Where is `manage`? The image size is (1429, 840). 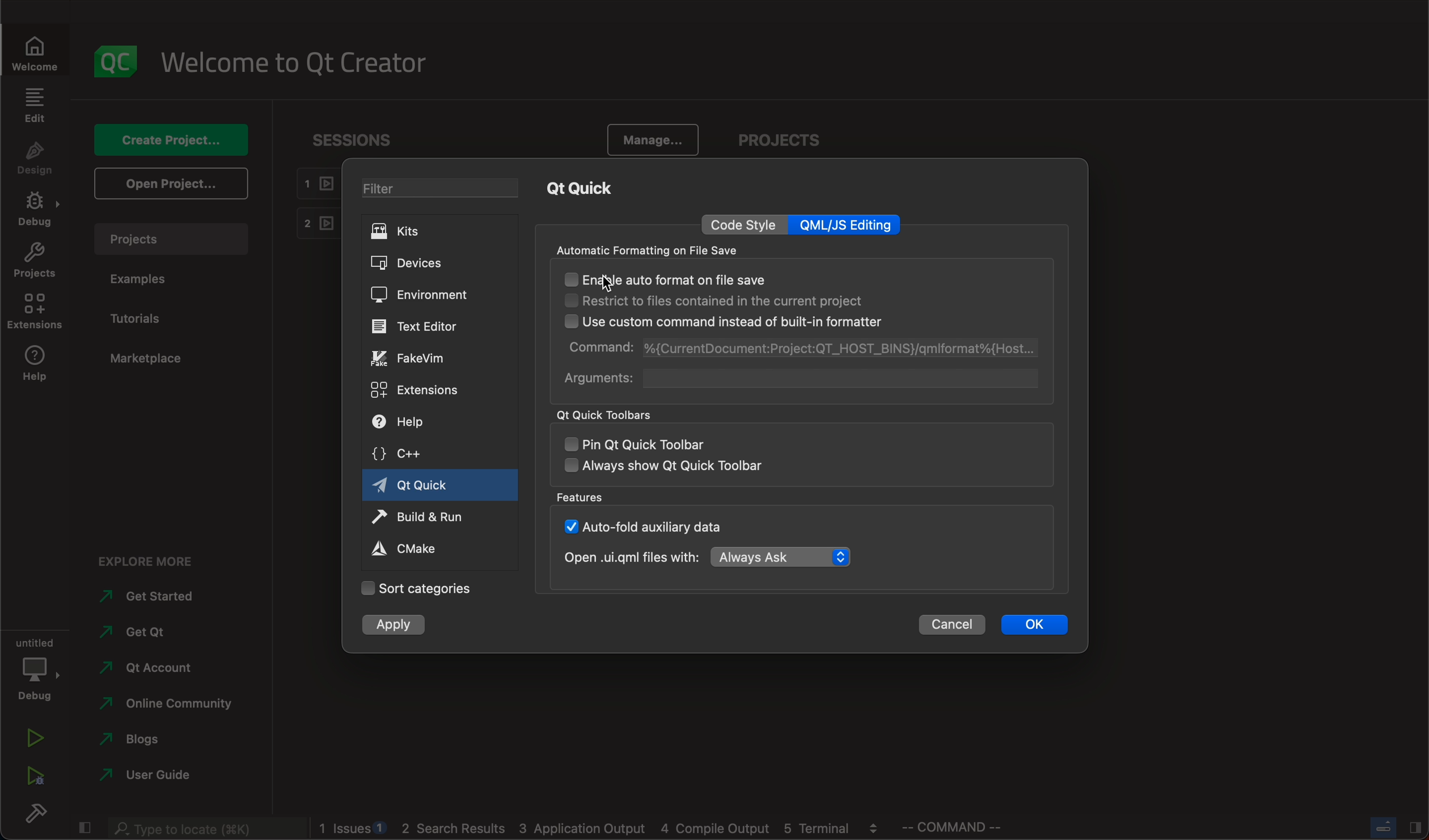 manage is located at coordinates (653, 138).